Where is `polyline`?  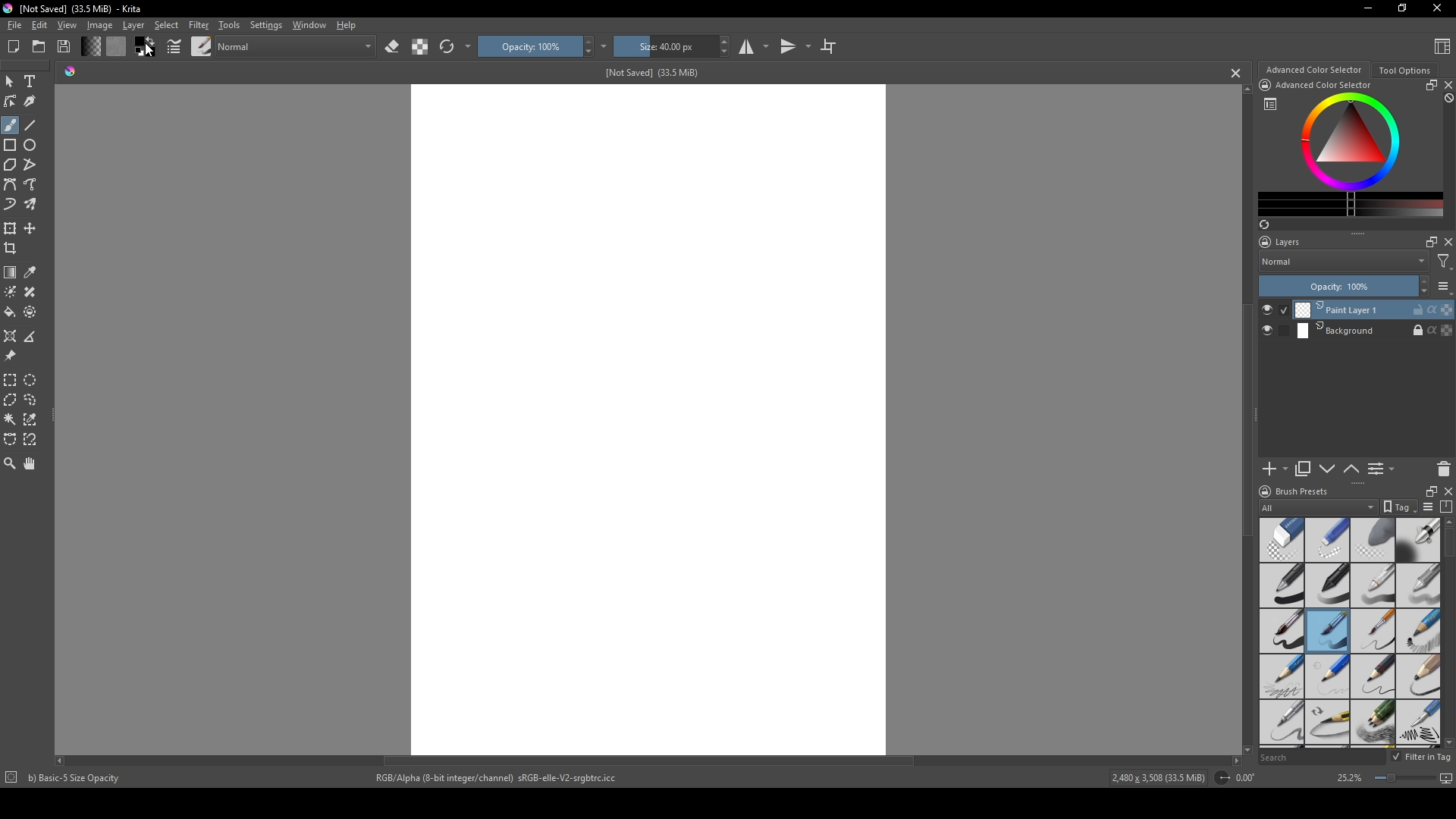 polyline is located at coordinates (32, 165).